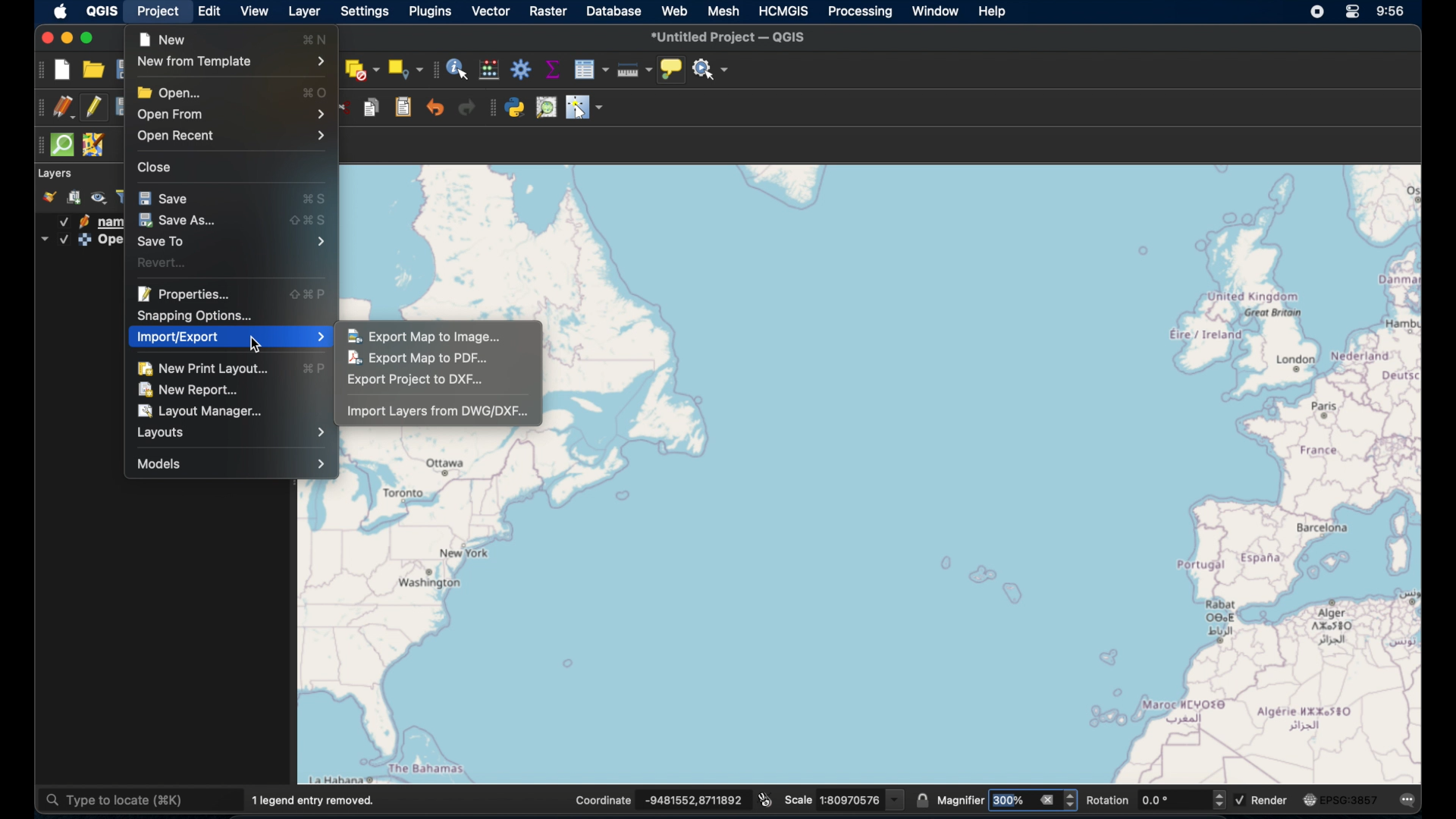  Describe the element at coordinates (635, 69) in the screenshot. I see `measure line` at that location.